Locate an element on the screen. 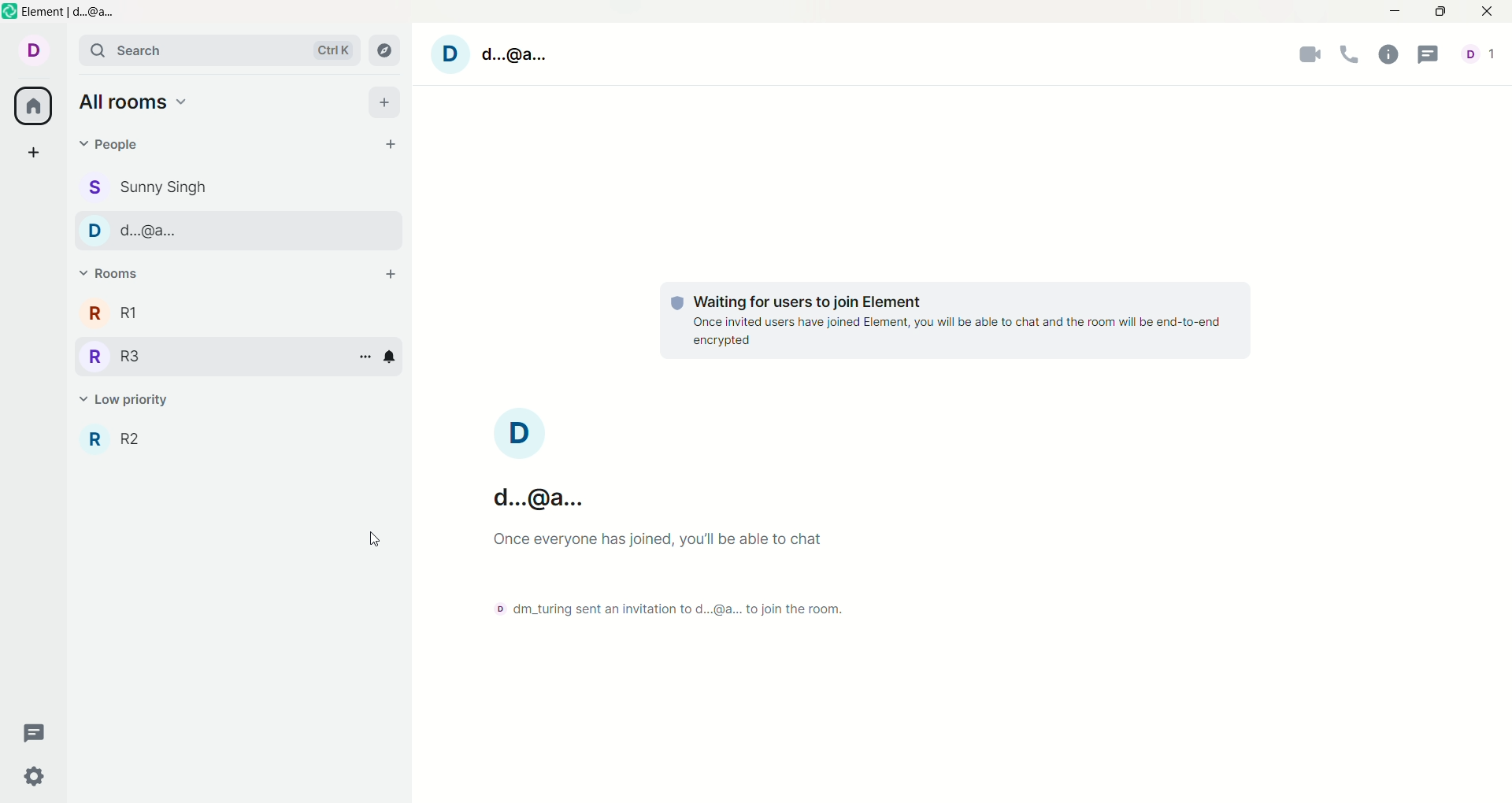  all rooms is located at coordinates (31, 107).